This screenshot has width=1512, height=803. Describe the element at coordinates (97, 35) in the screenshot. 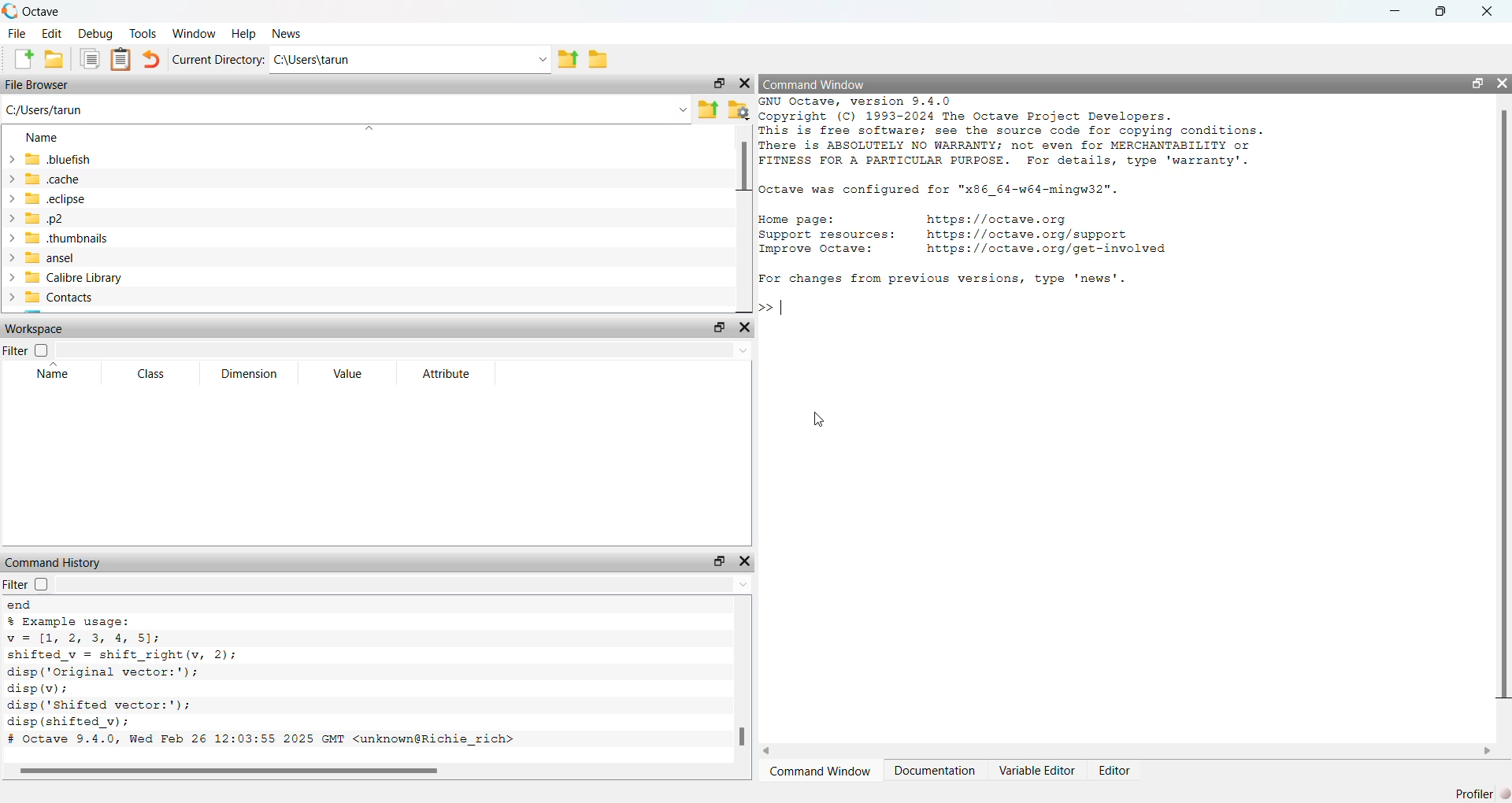

I see `debug` at that location.